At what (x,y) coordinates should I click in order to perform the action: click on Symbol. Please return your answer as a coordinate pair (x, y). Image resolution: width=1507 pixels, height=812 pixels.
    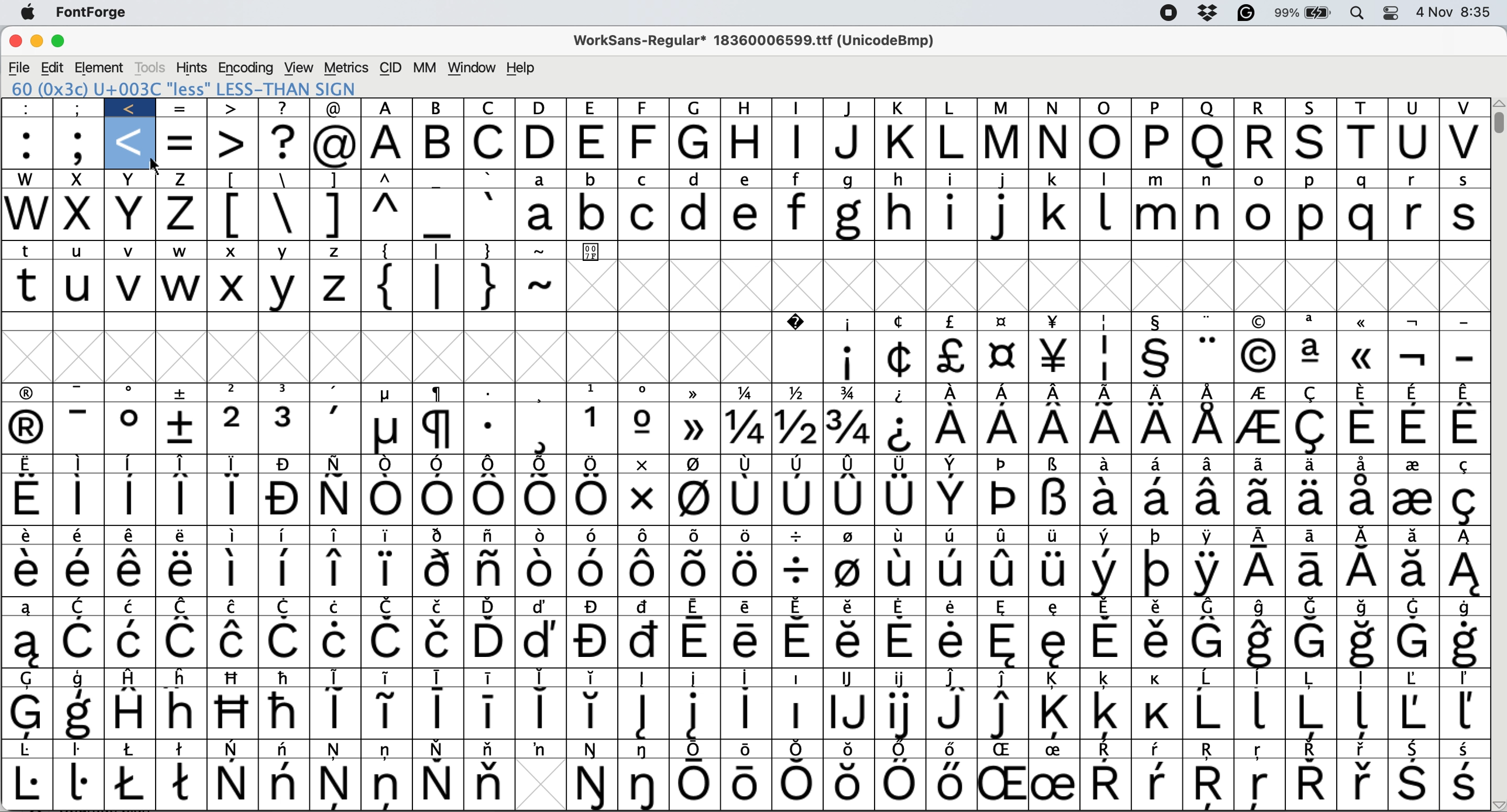
    Looking at the image, I should click on (1054, 643).